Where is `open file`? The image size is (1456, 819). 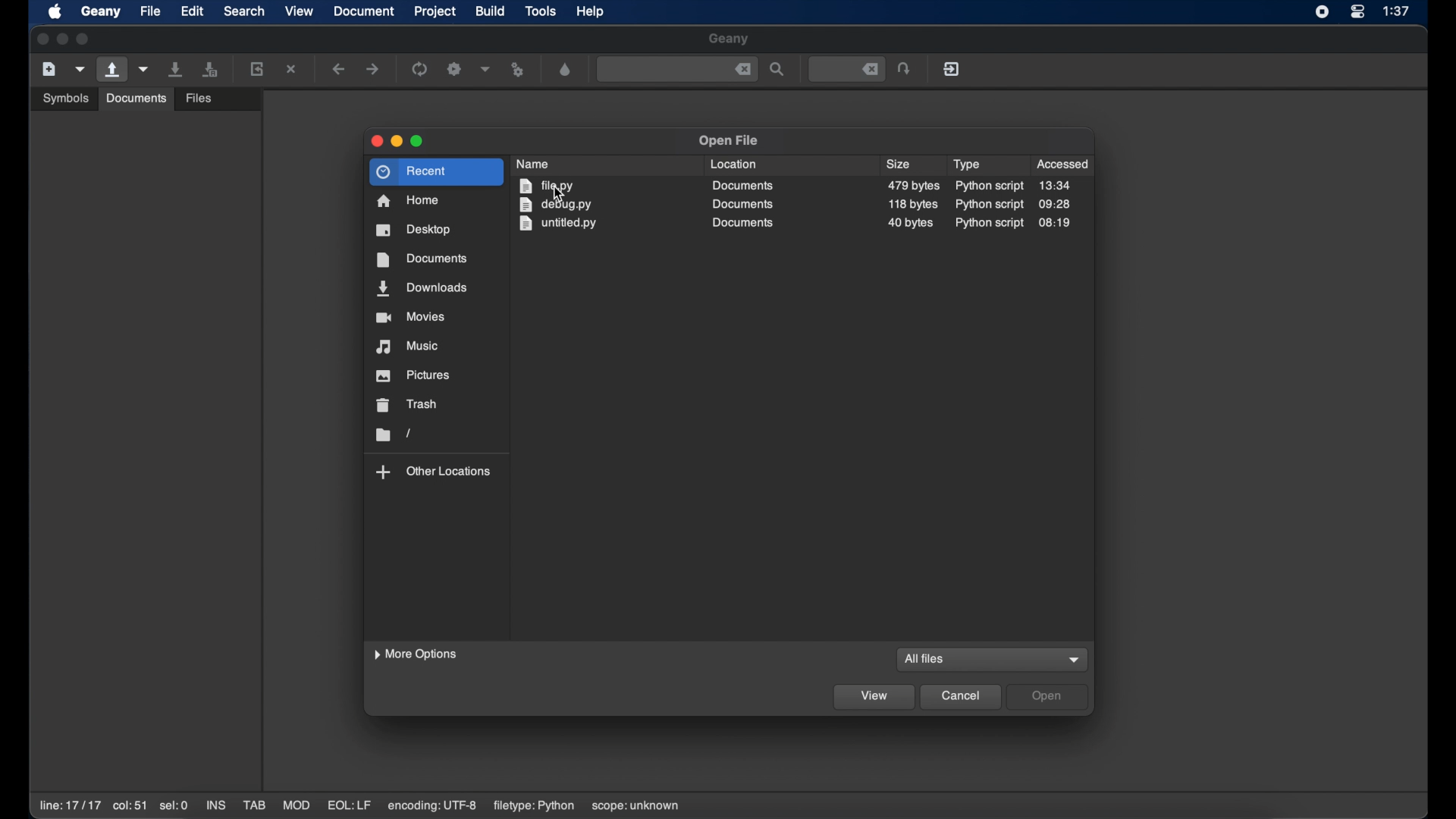
open file is located at coordinates (111, 70).